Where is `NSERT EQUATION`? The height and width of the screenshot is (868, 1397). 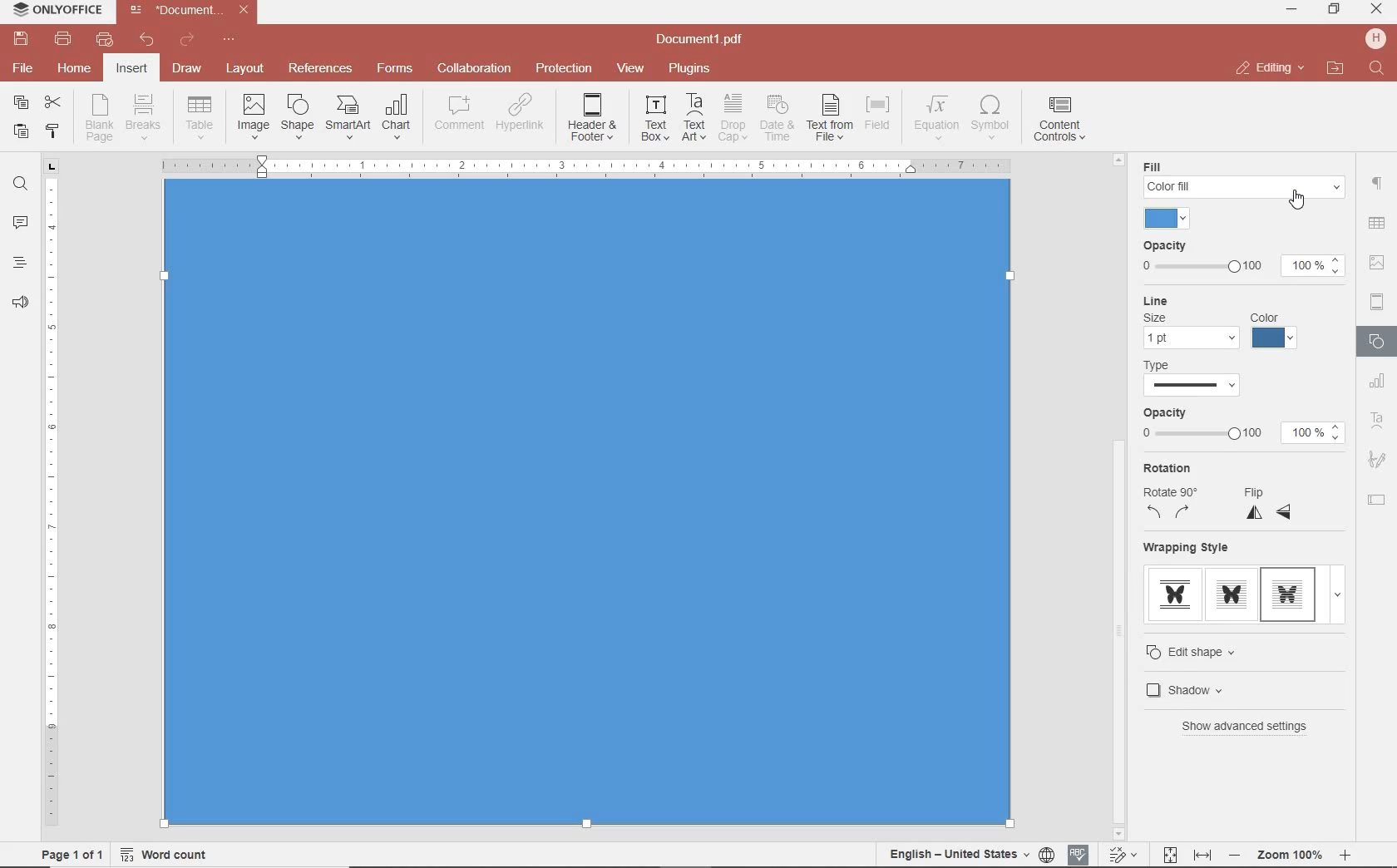
NSERT EQUATION is located at coordinates (935, 116).